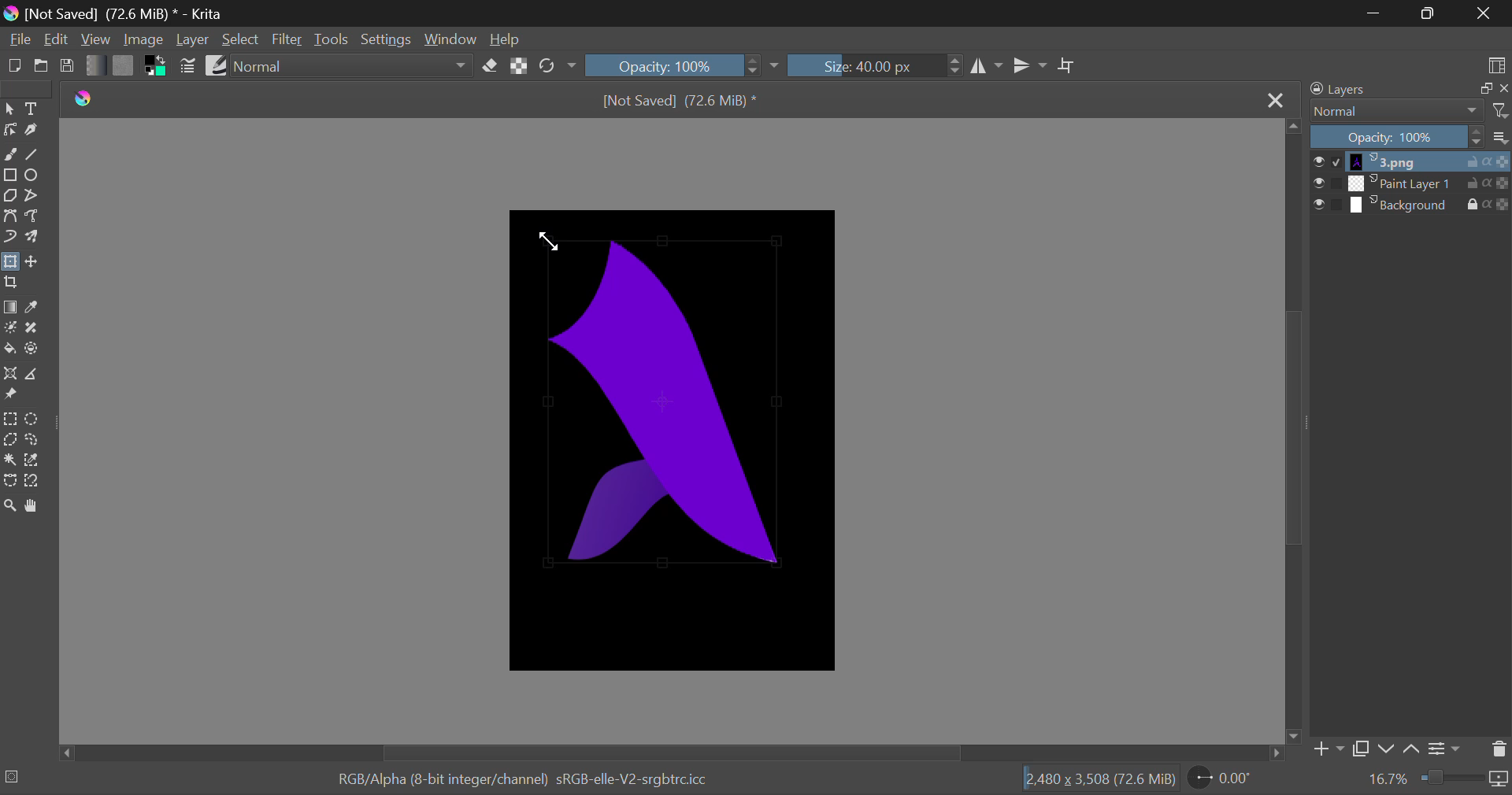 The width and height of the screenshot is (1512, 795). Describe the element at coordinates (10, 460) in the screenshot. I see `Cursor on Continuous Selection` at that location.